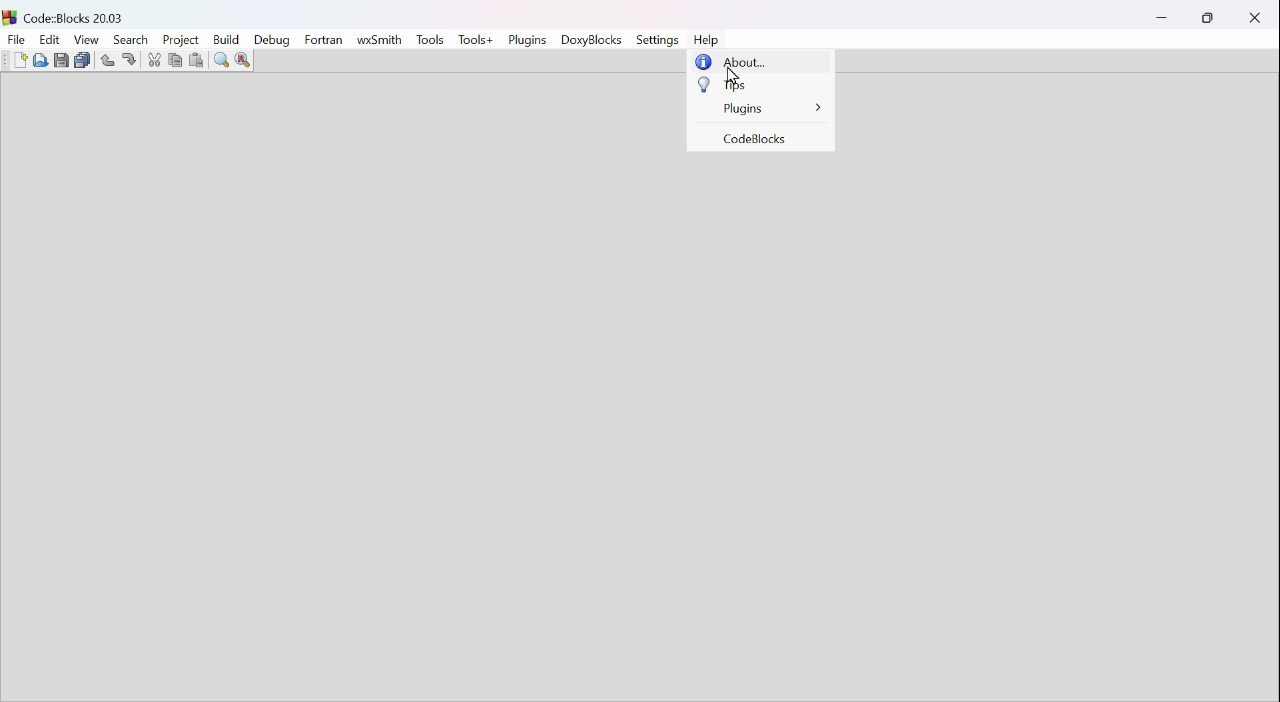 Image resolution: width=1280 pixels, height=702 pixels. Describe the element at coordinates (88, 42) in the screenshot. I see `View` at that location.